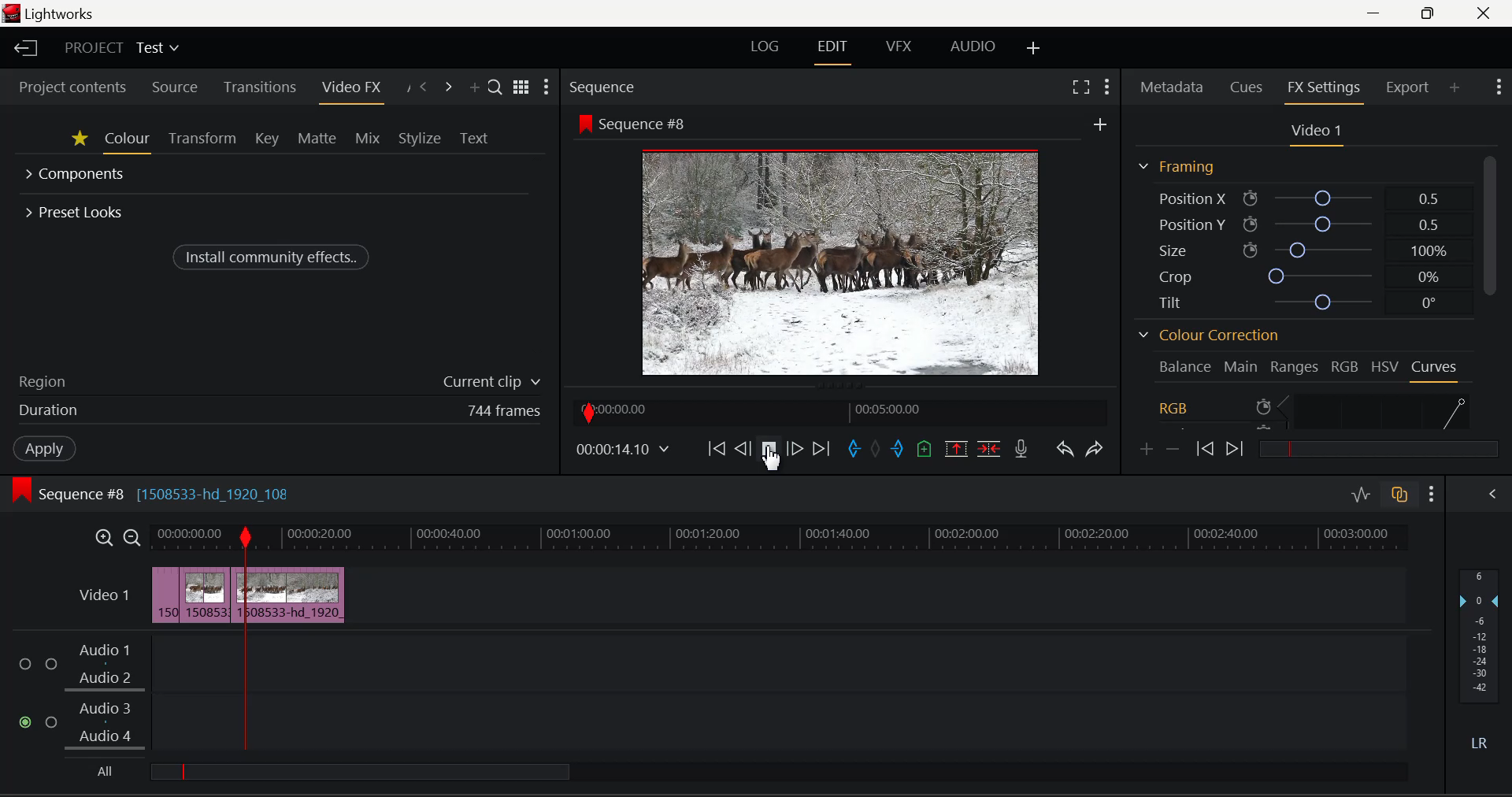  What do you see at coordinates (77, 176) in the screenshot?
I see `Components Section` at bounding box center [77, 176].